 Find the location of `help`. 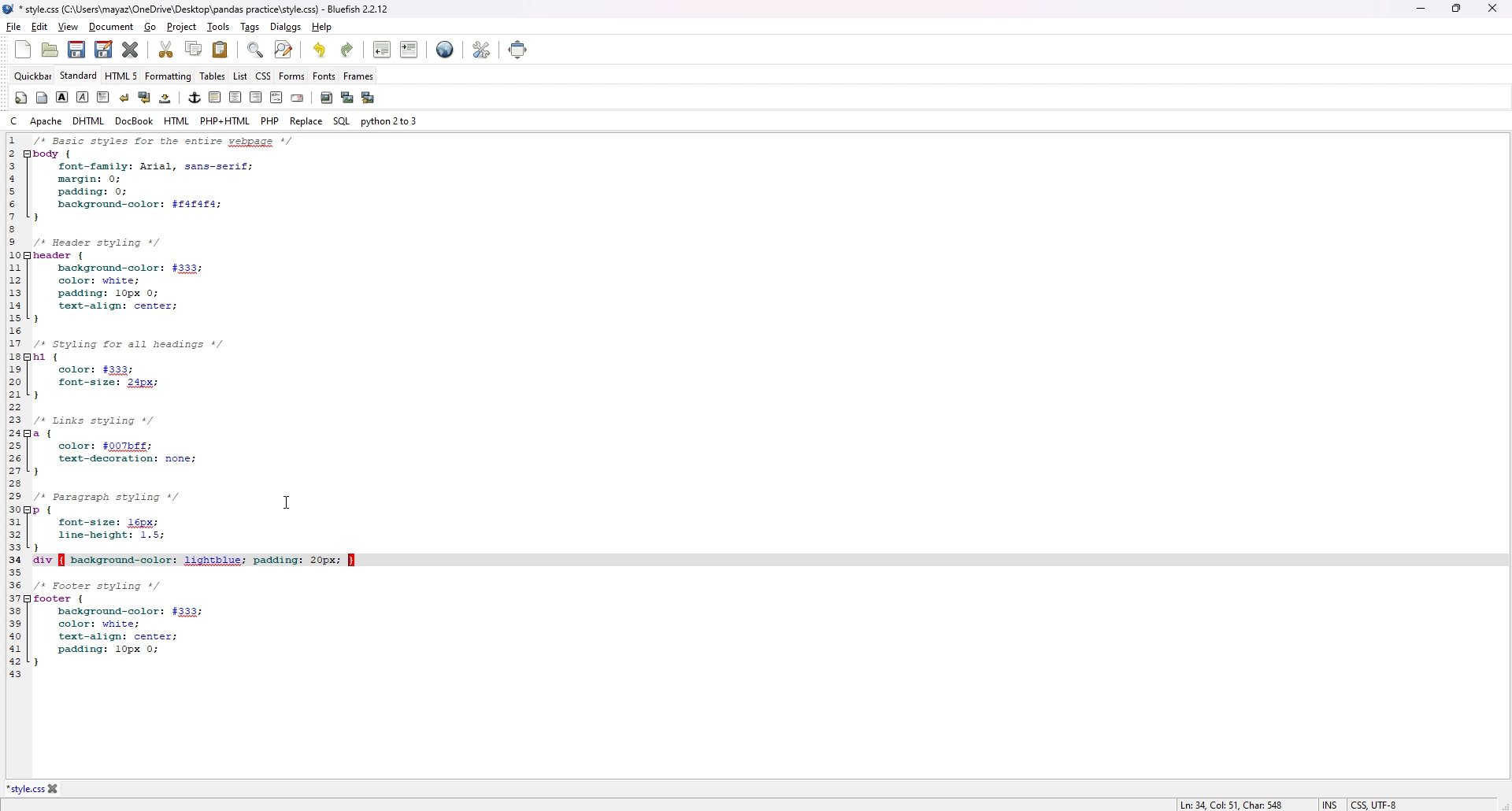

help is located at coordinates (322, 26).